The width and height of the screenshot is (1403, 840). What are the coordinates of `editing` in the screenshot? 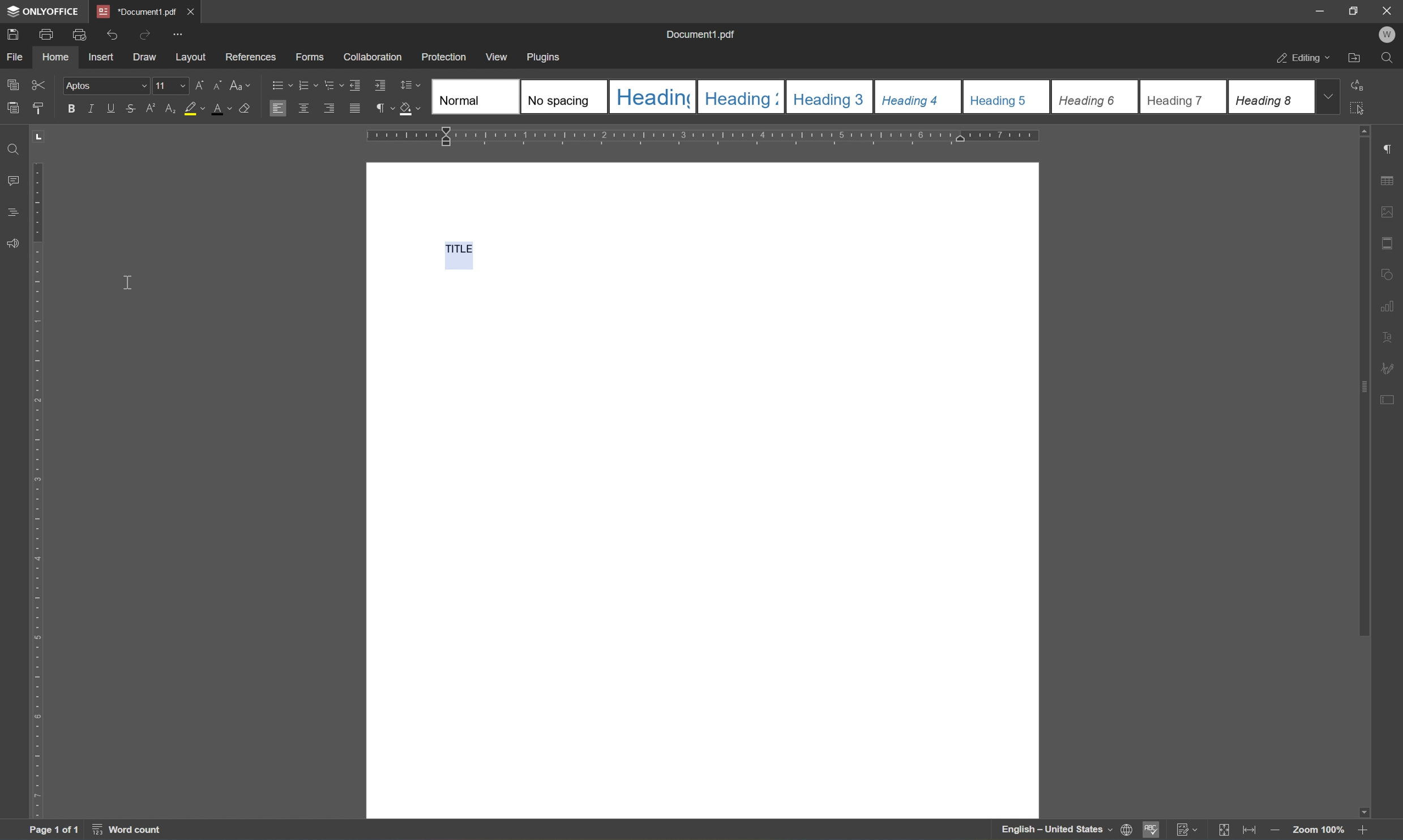 It's located at (1302, 59).